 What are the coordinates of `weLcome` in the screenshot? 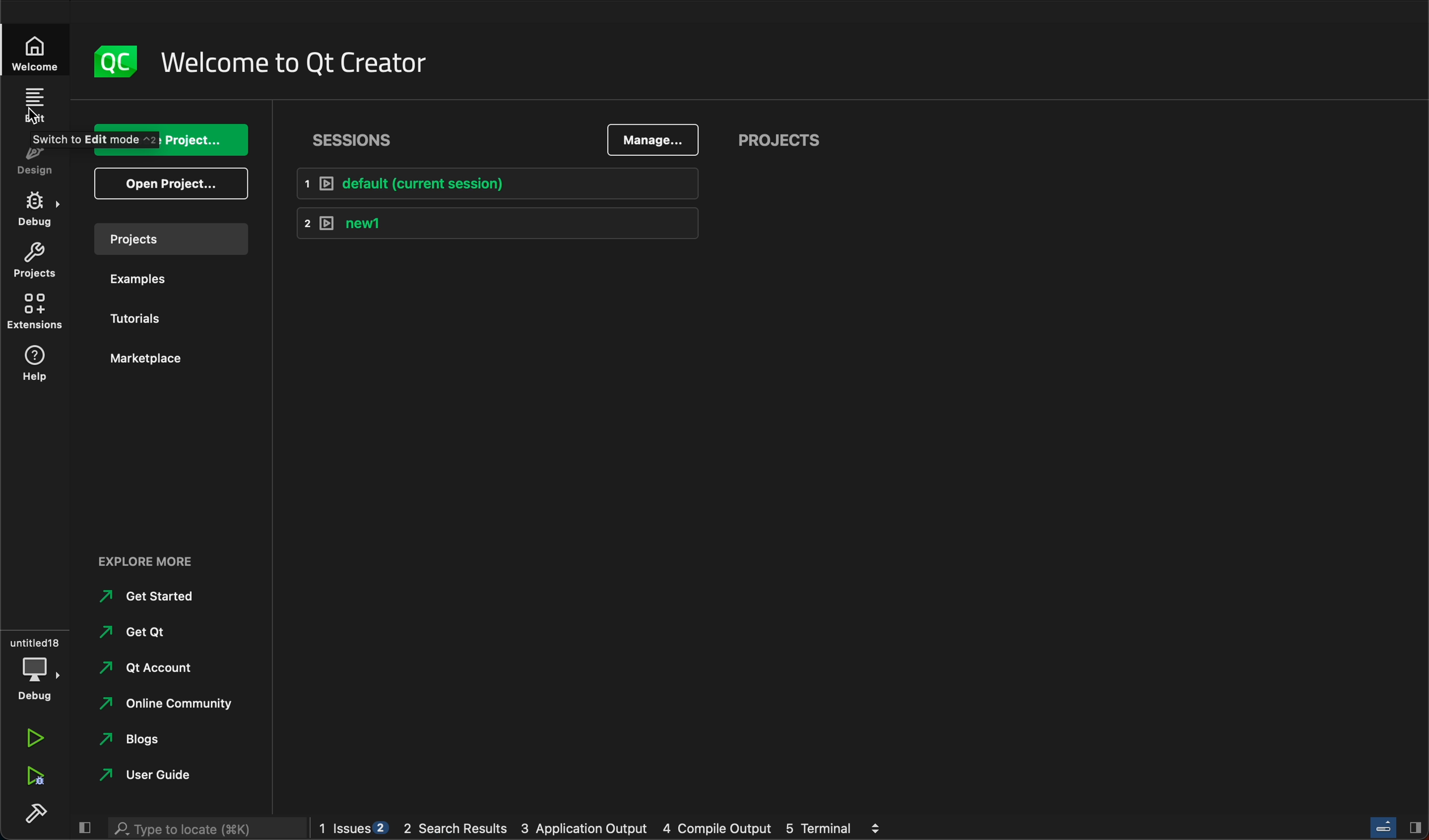 It's located at (40, 52).